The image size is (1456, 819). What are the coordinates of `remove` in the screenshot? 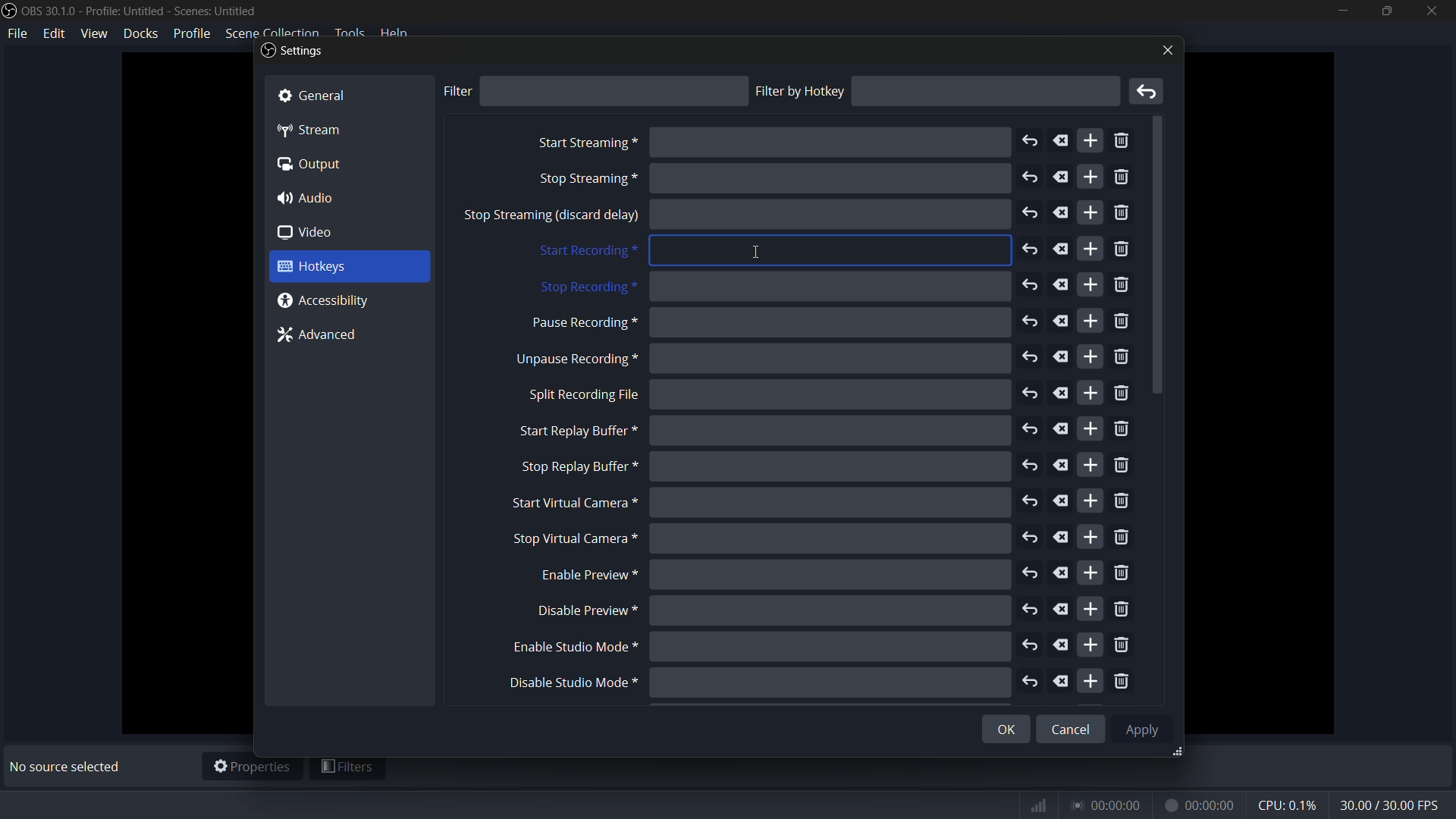 It's located at (1125, 573).